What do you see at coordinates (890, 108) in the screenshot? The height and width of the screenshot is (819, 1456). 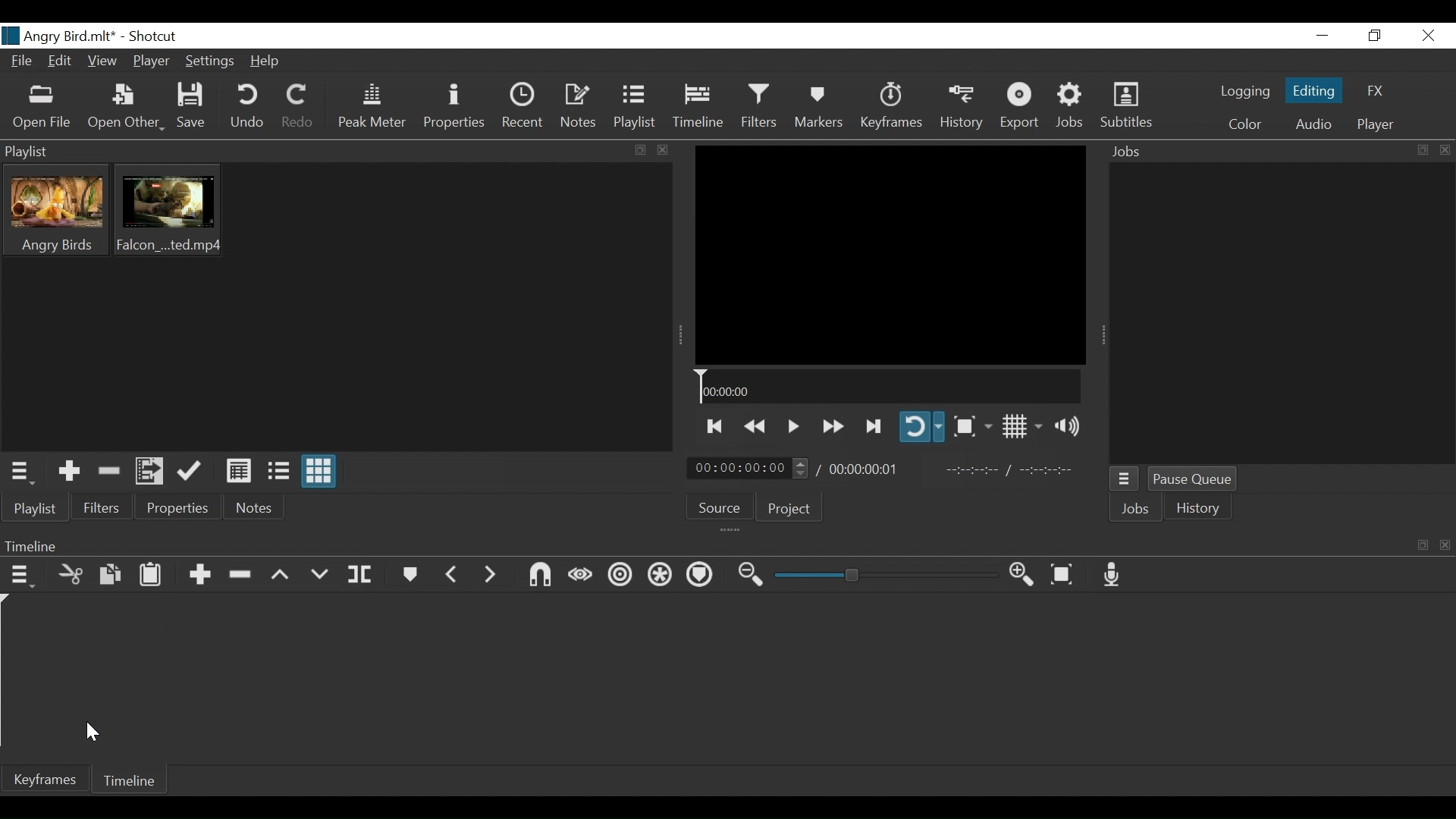 I see `Keyframe` at bounding box center [890, 108].